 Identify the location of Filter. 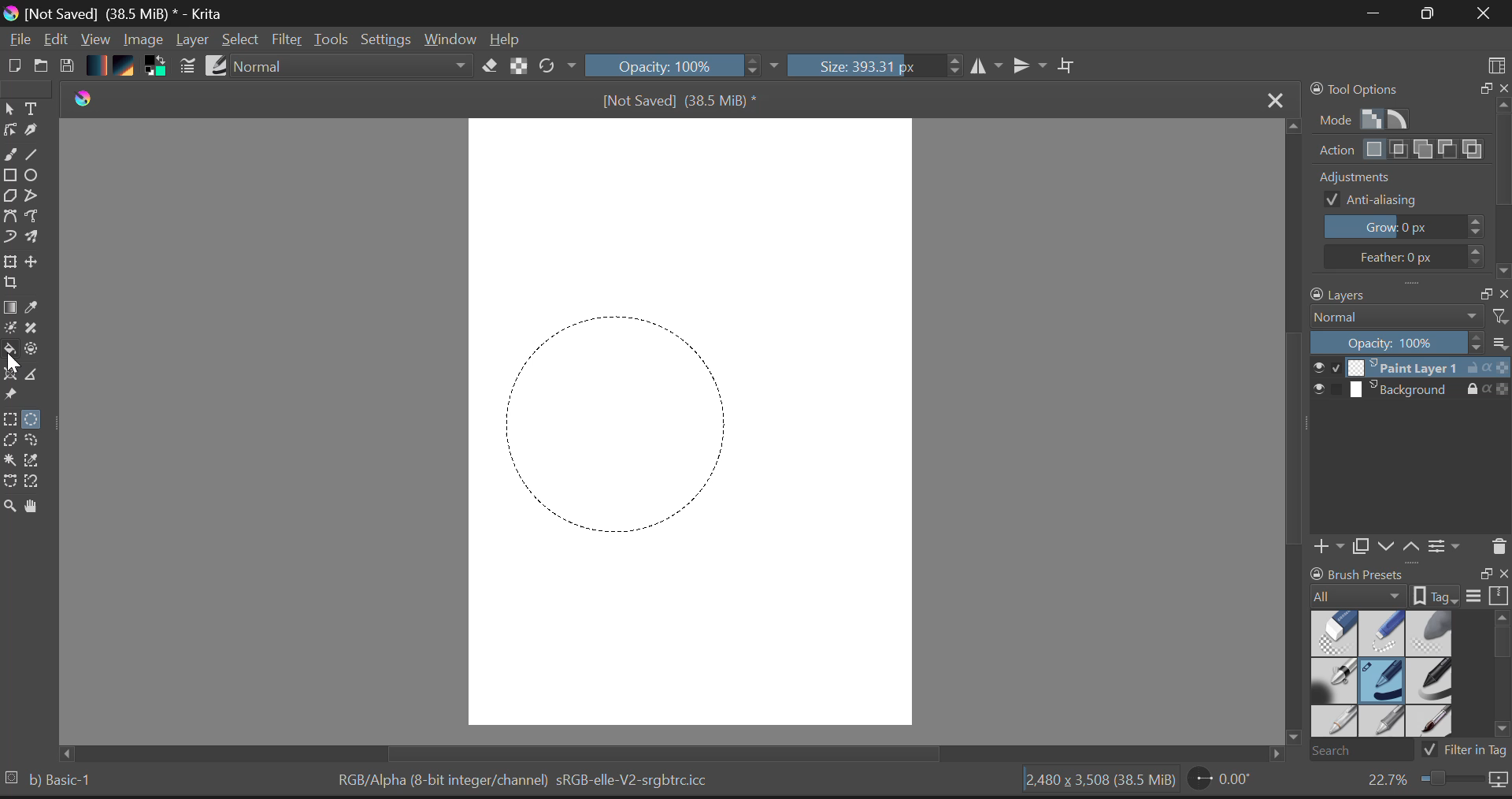
(287, 40).